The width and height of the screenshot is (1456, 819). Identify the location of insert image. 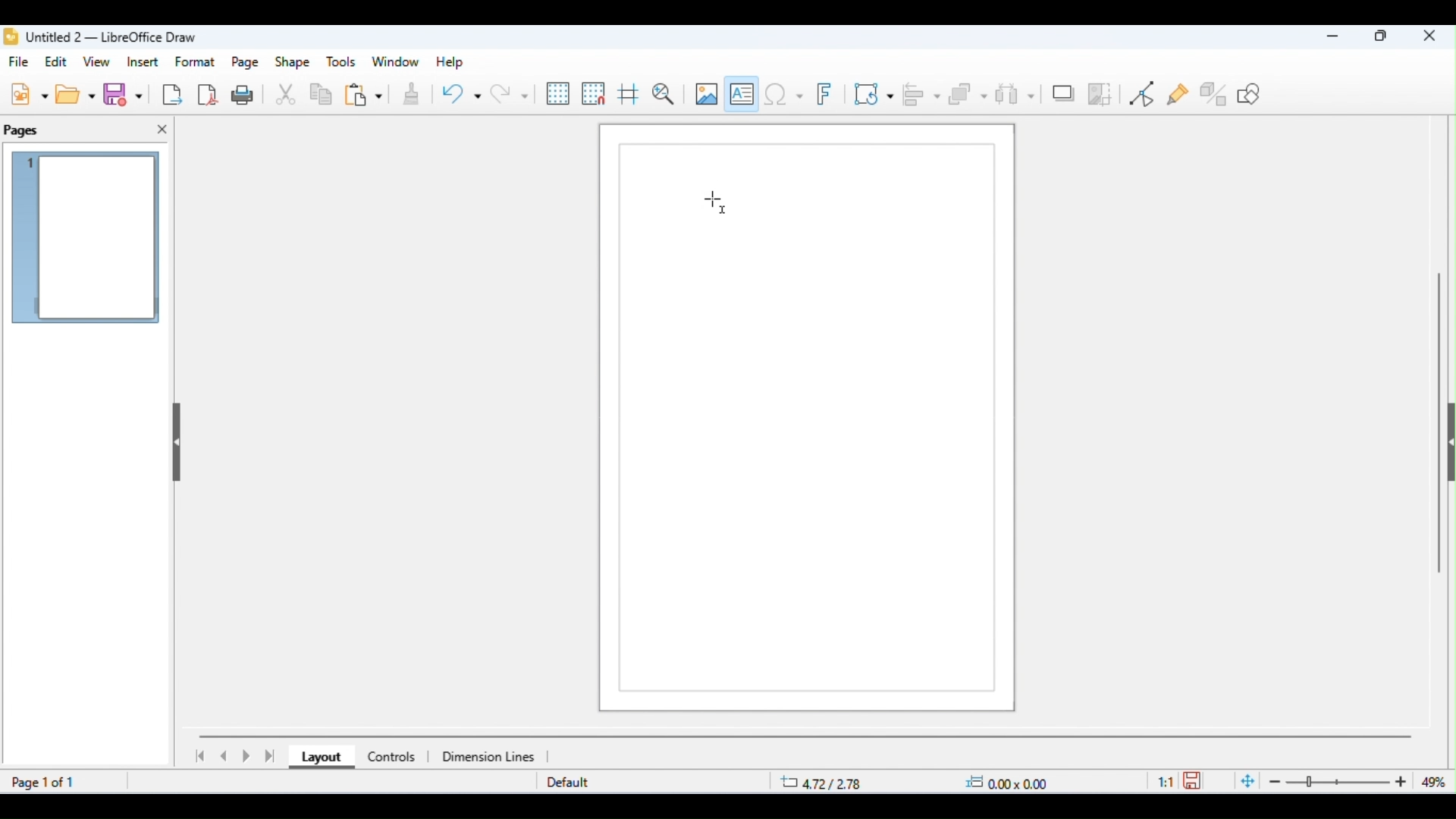
(705, 93).